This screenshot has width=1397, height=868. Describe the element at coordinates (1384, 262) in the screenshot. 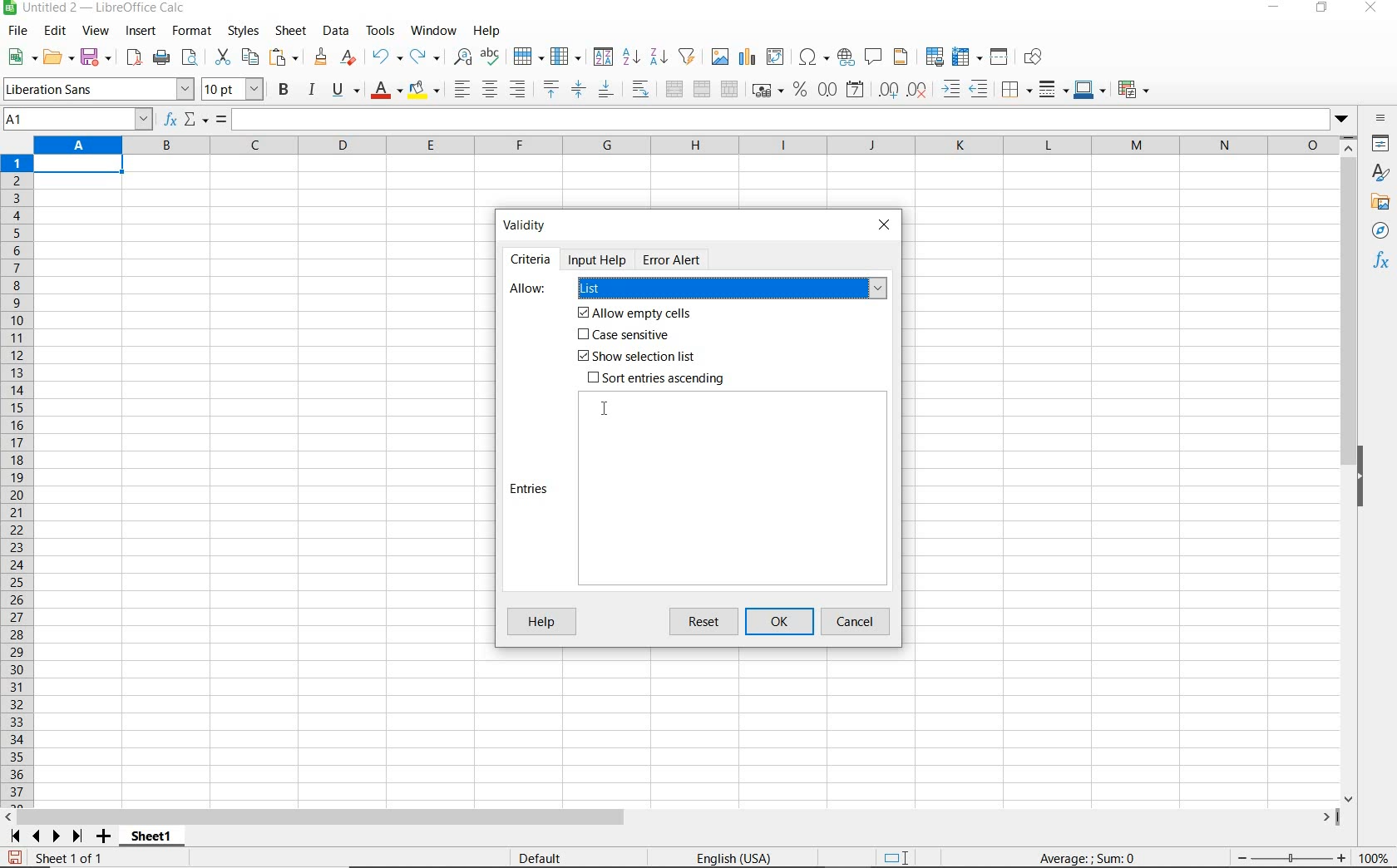

I see `functions` at that location.